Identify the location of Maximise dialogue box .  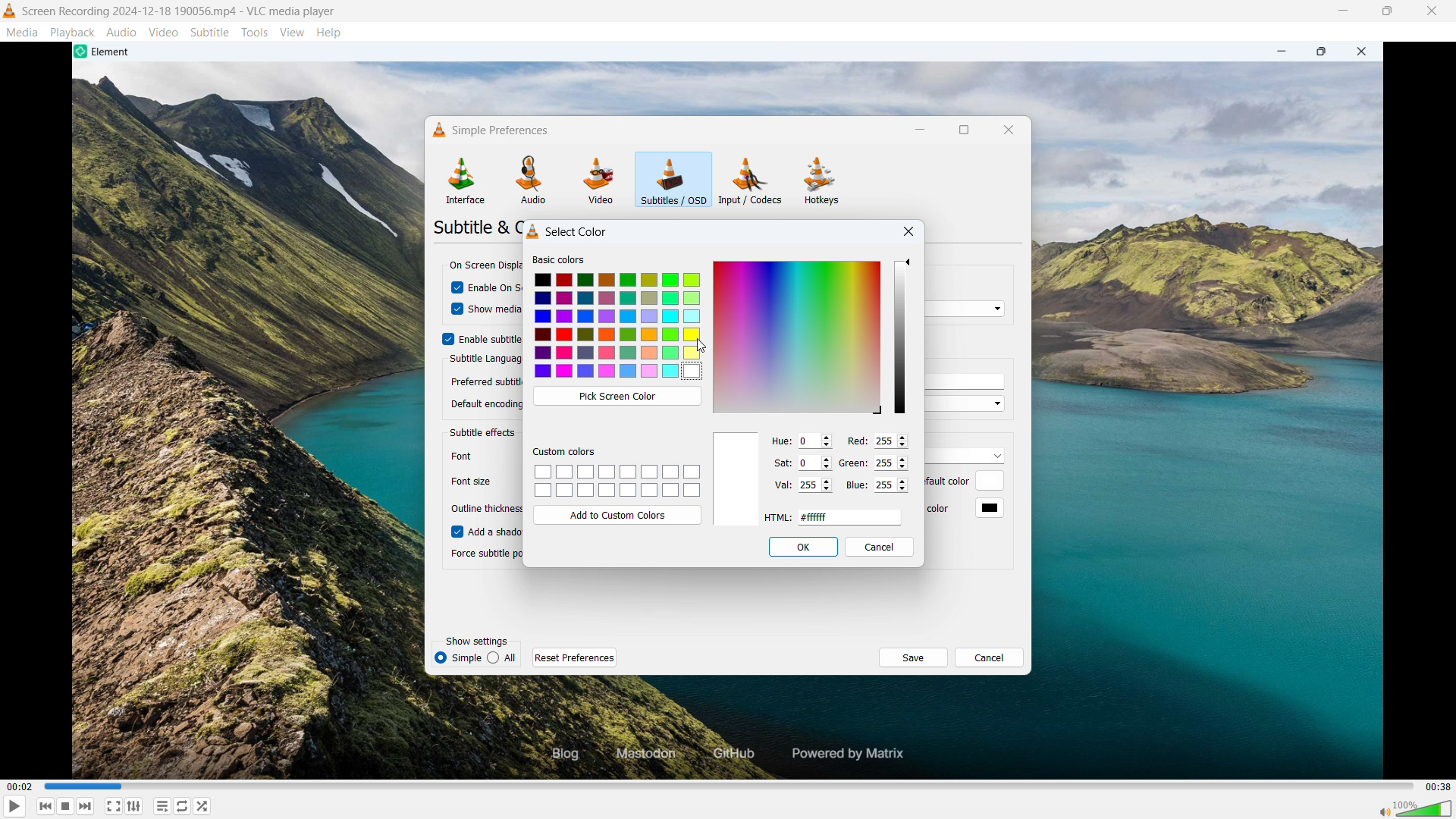
(965, 130).